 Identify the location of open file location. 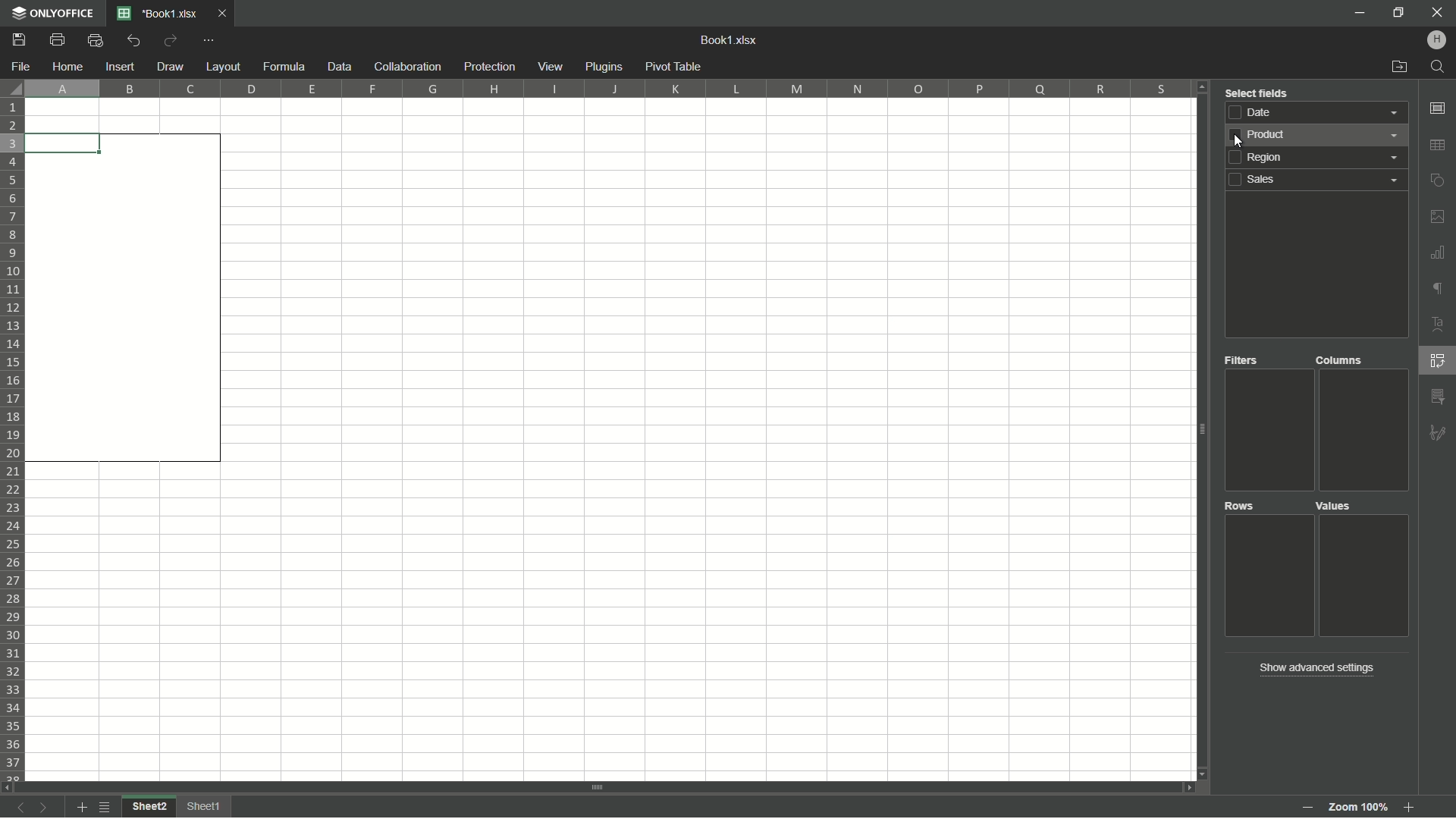
(1398, 67).